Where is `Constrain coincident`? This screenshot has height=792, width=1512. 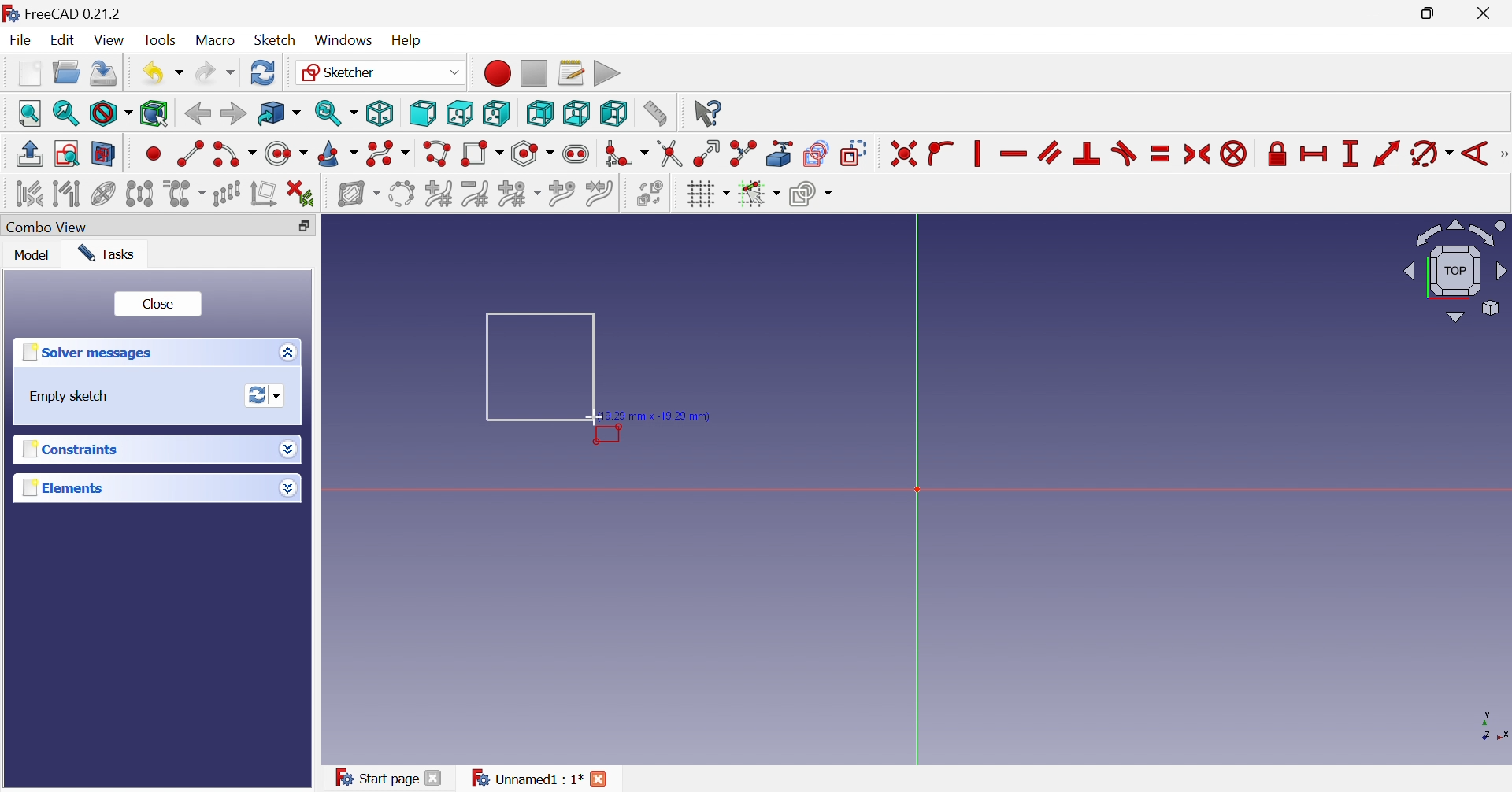
Constrain coincident is located at coordinates (903, 154).